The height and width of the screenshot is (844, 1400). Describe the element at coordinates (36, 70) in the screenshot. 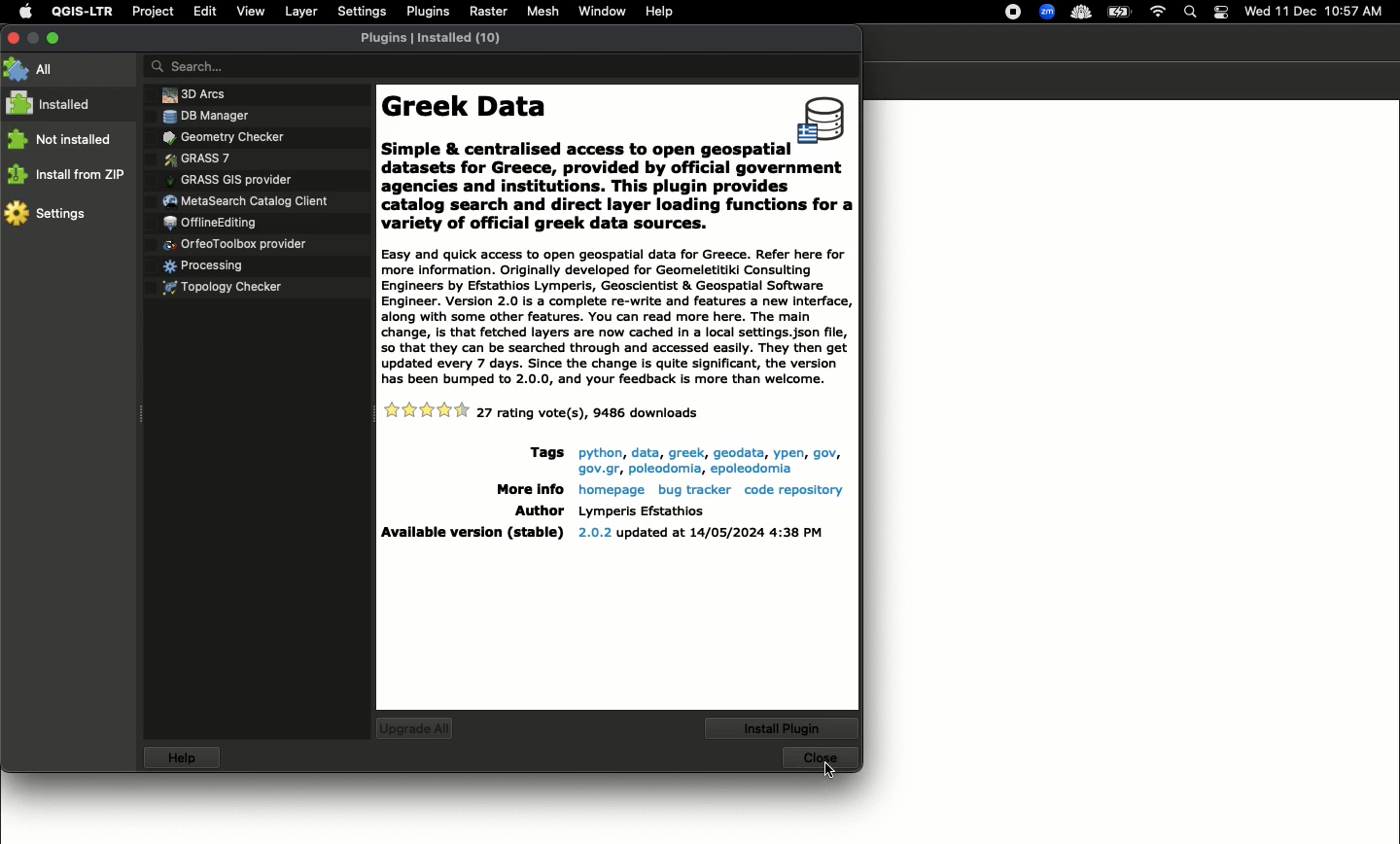

I see `All` at that location.